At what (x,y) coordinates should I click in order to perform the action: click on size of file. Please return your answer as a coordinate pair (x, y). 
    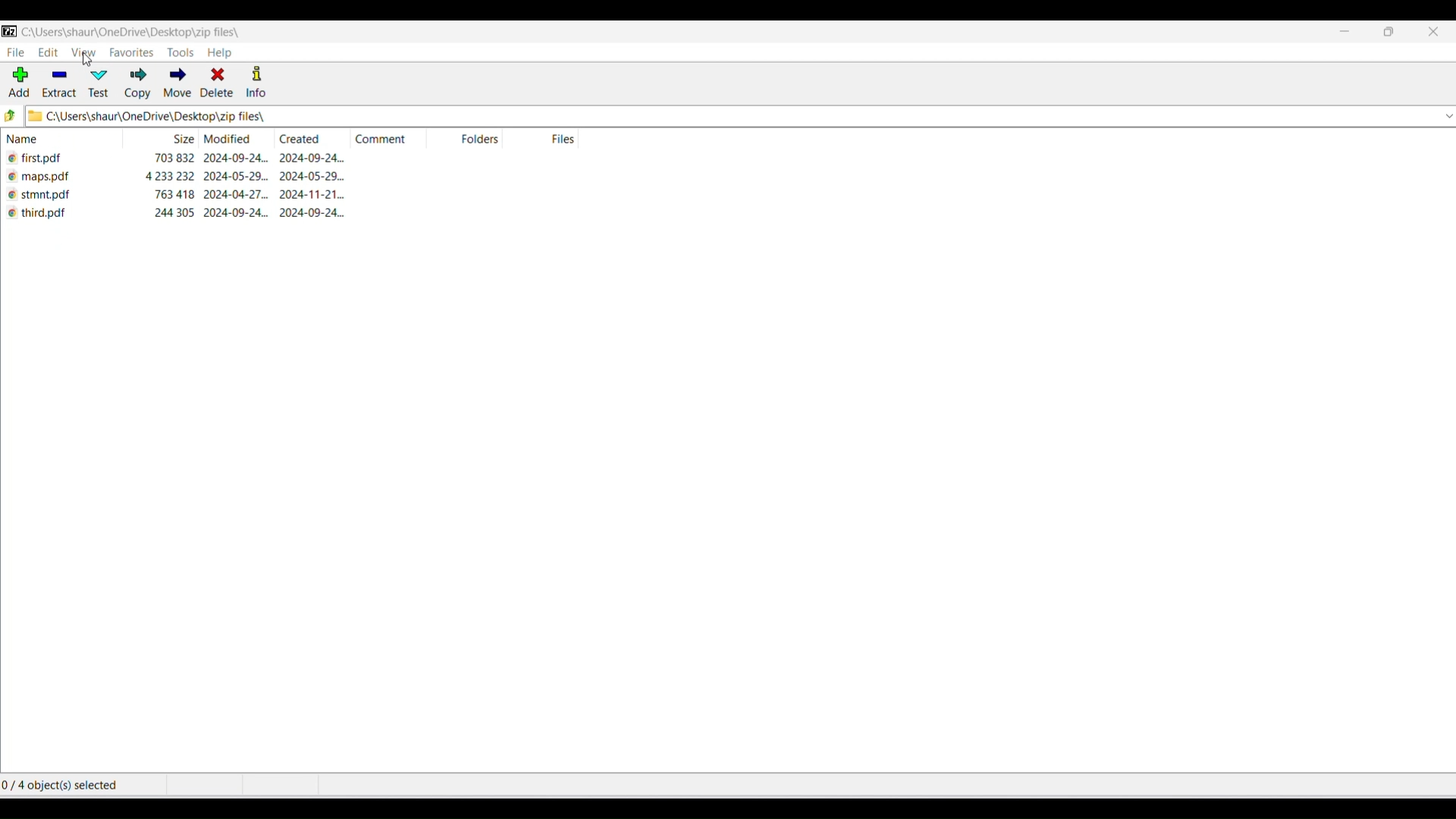
    Looking at the image, I should click on (174, 158).